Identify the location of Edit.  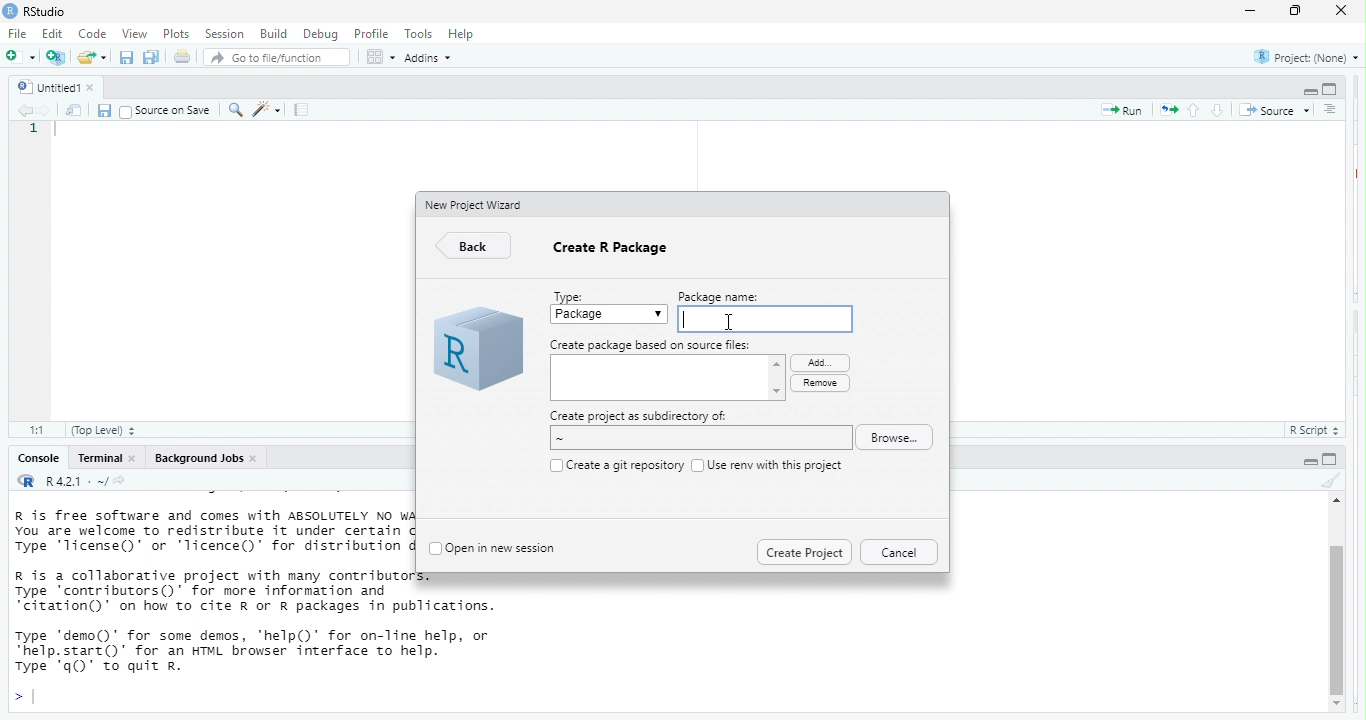
(54, 35).